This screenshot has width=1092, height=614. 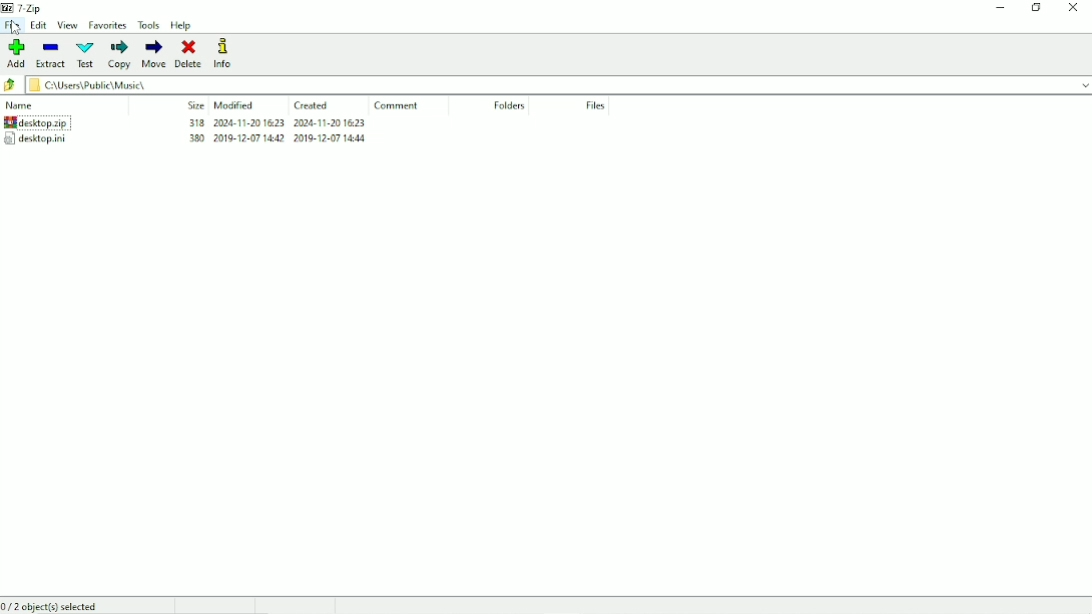 What do you see at coordinates (36, 122) in the screenshot?
I see `desktop.zip` at bounding box center [36, 122].